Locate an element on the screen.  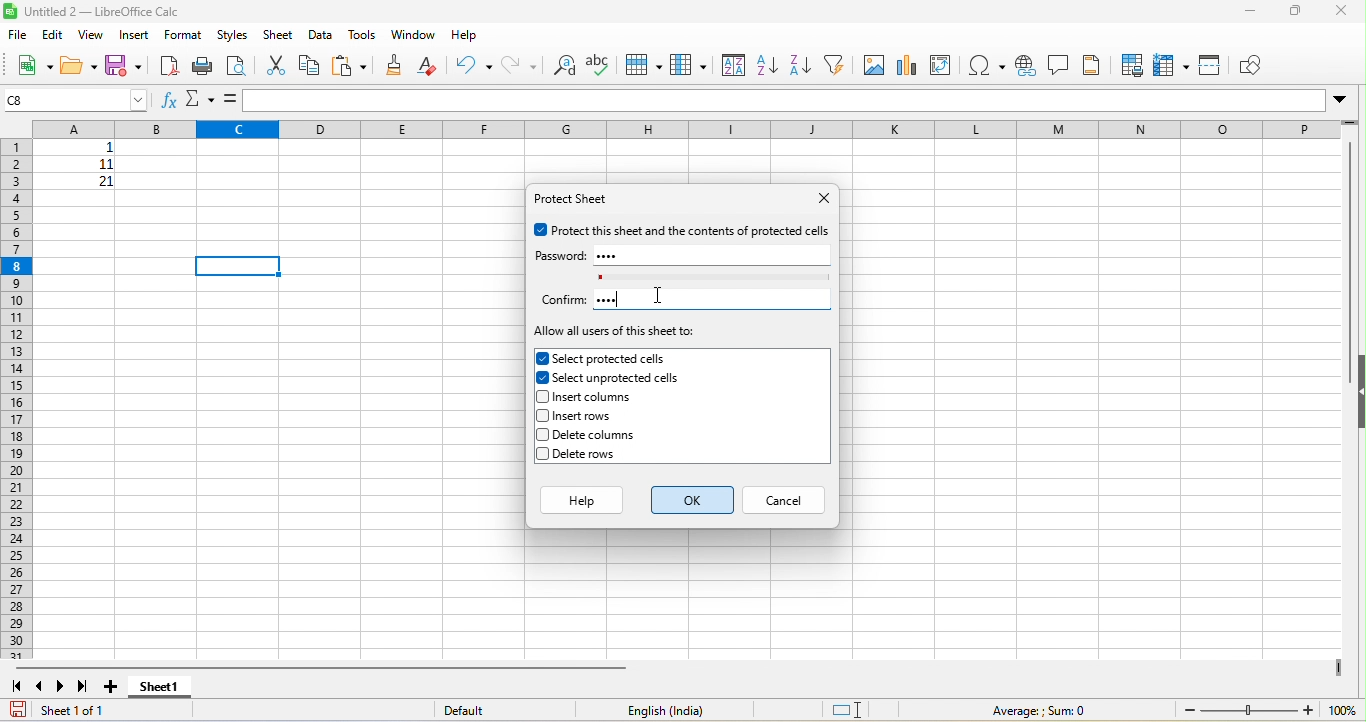
zoom is located at coordinates (1270, 711).